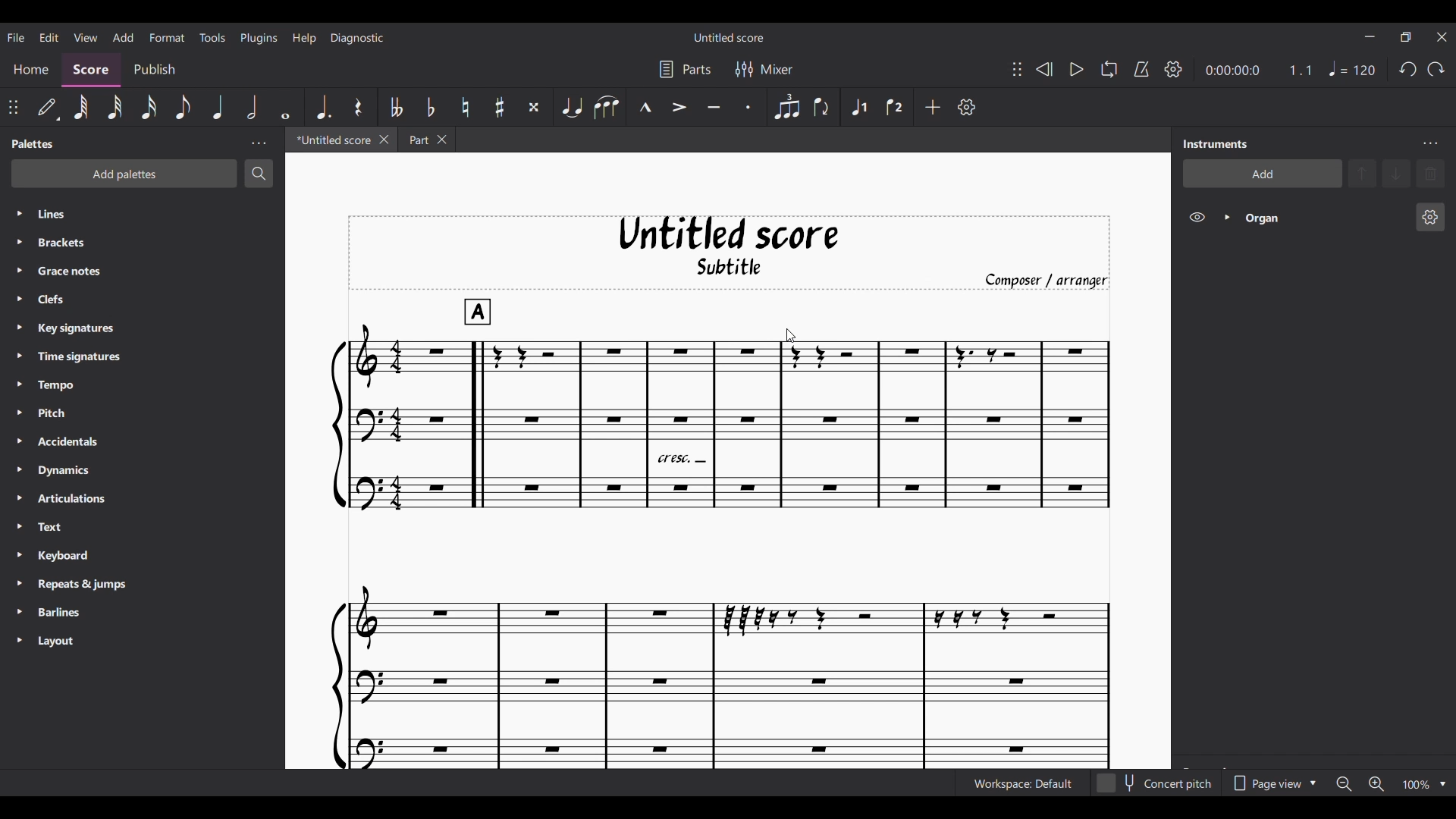  What do you see at coordinates (212, 36) in the screenshot?
I see `Tools menu` at bounding box center [212, 36].